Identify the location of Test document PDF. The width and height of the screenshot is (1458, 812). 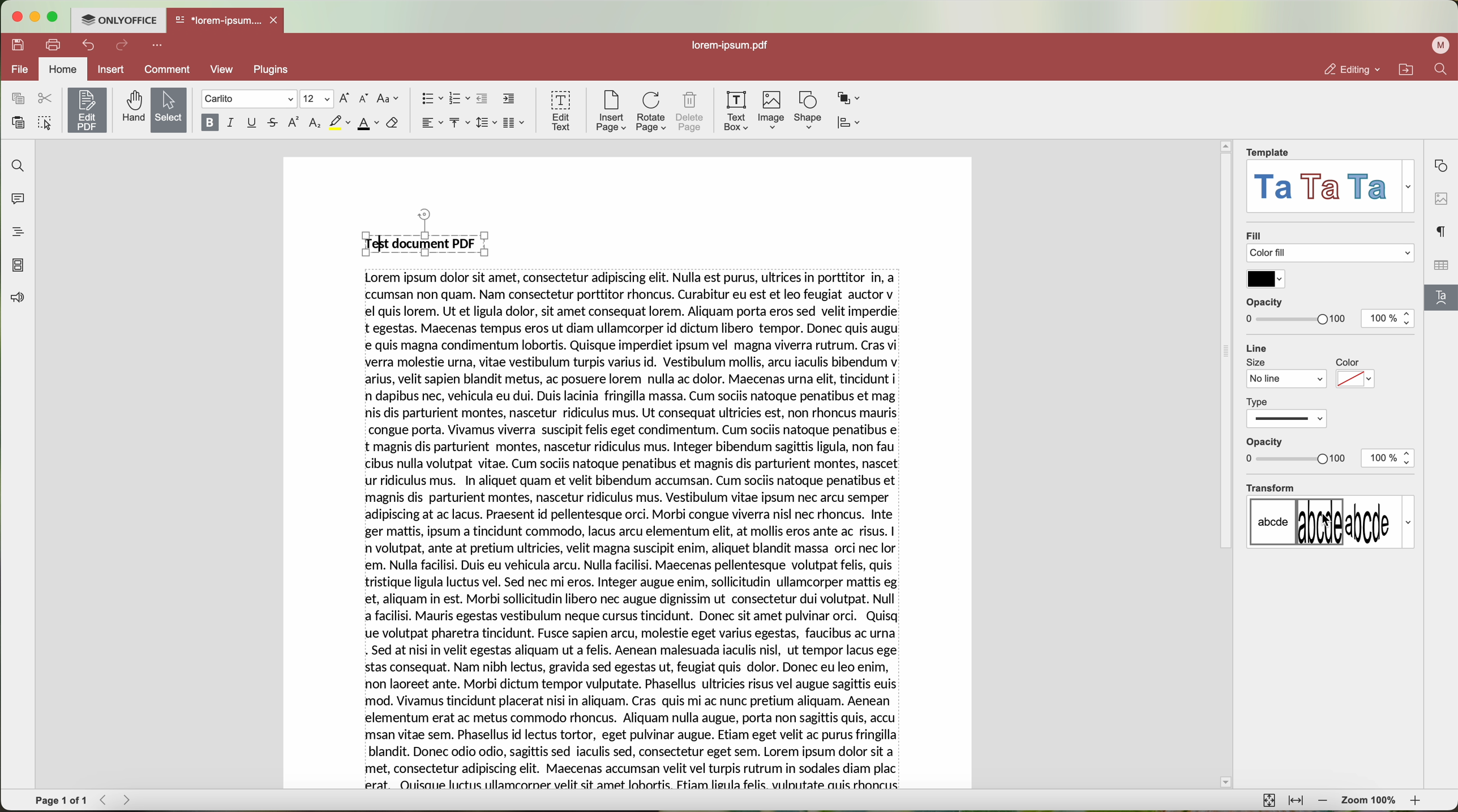
(429, 233).